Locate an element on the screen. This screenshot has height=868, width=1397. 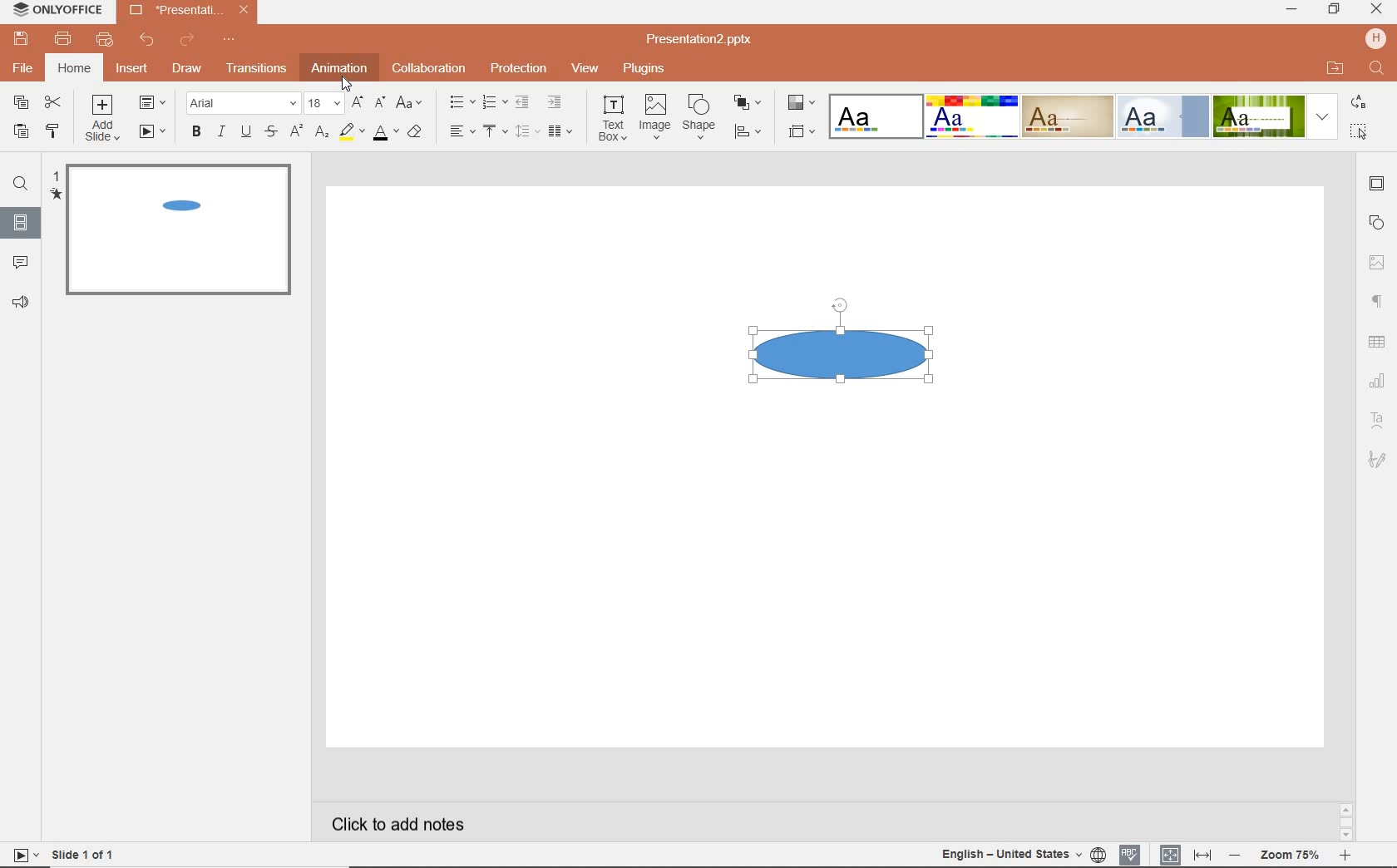
quick print is located at coordinates (106, 41).